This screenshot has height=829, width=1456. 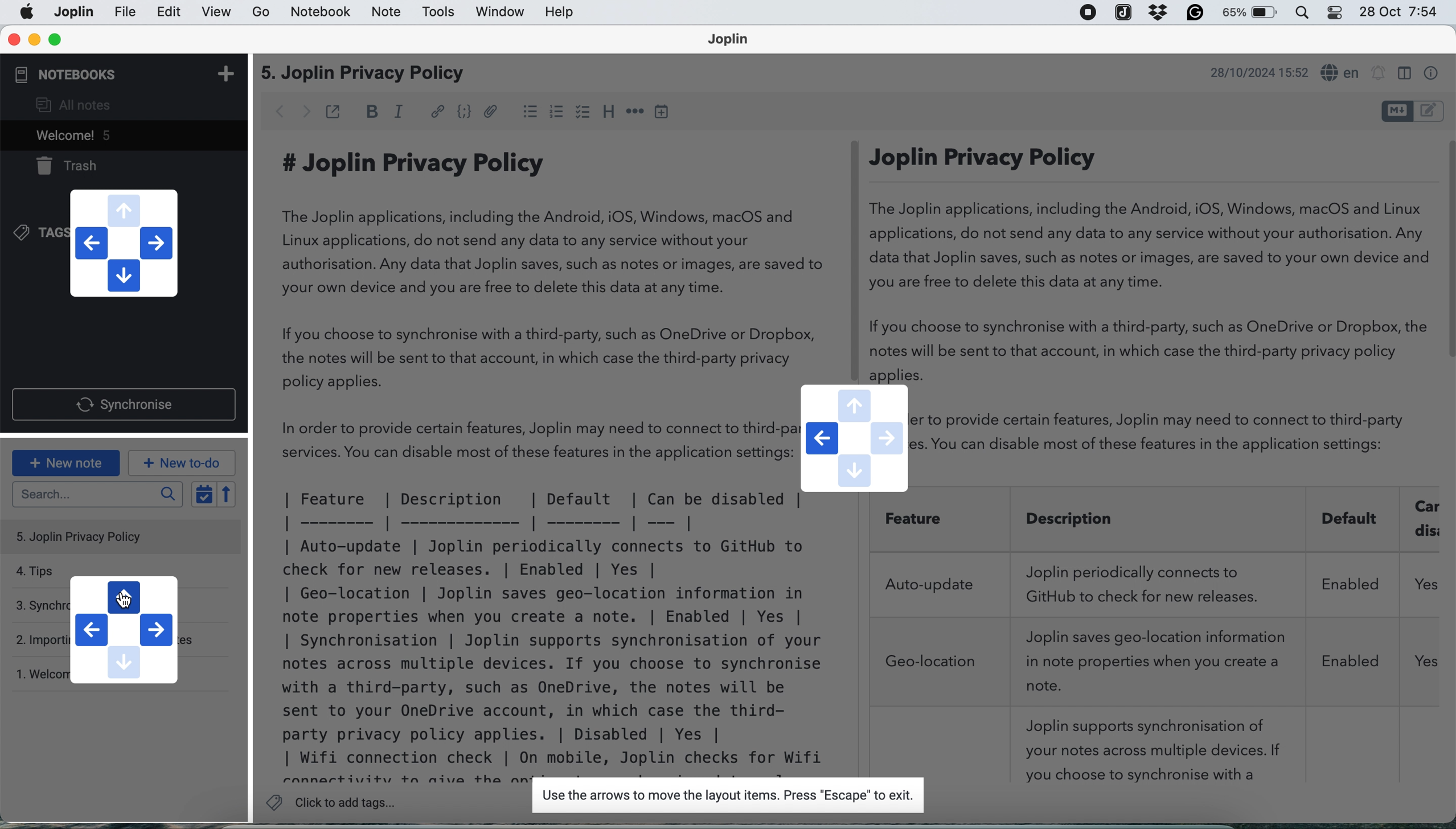 What do you see at coordinates (323, 13) in the screenshot?
I see `notebook` at bounding box center [323, 13].